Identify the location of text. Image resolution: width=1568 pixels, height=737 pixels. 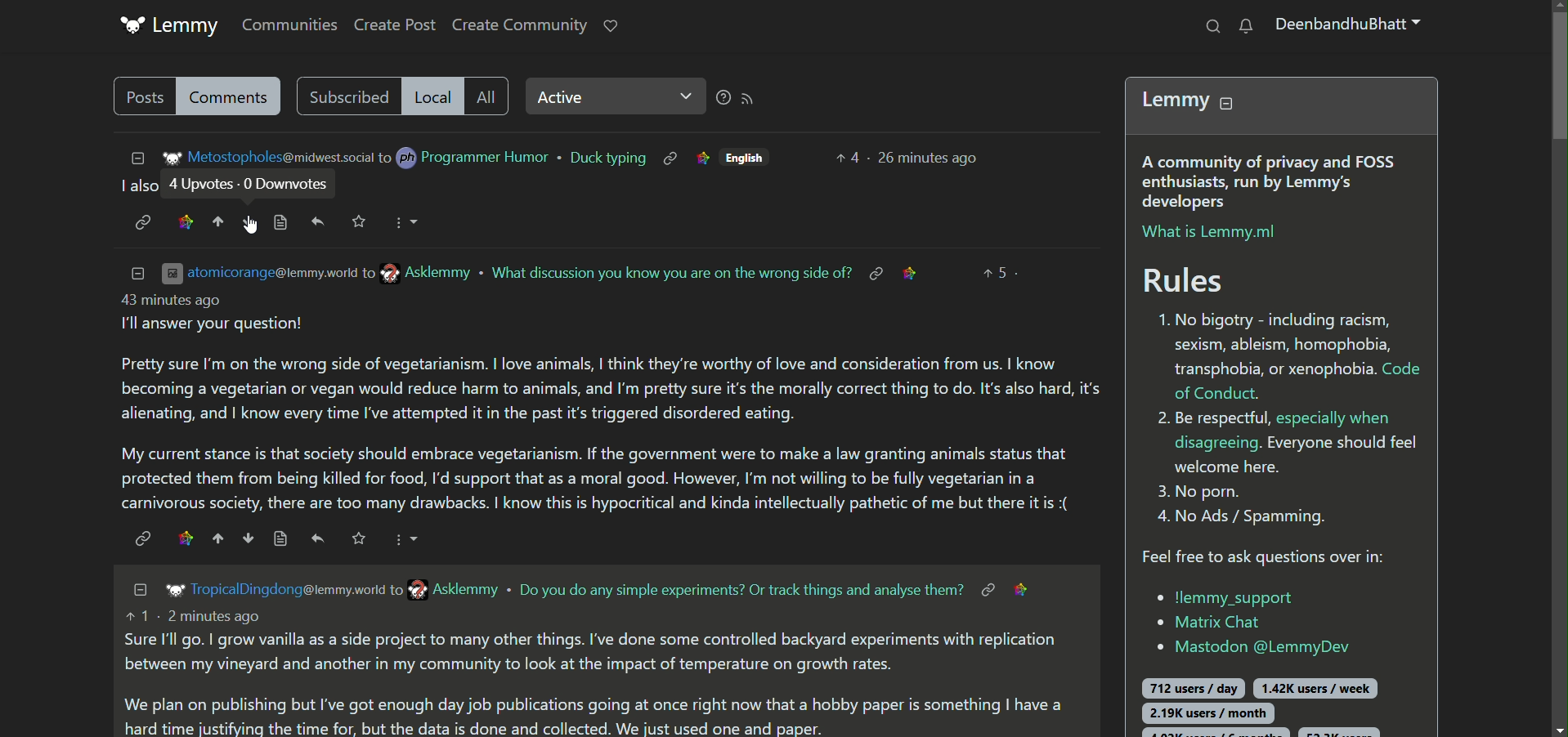
(594, 672).